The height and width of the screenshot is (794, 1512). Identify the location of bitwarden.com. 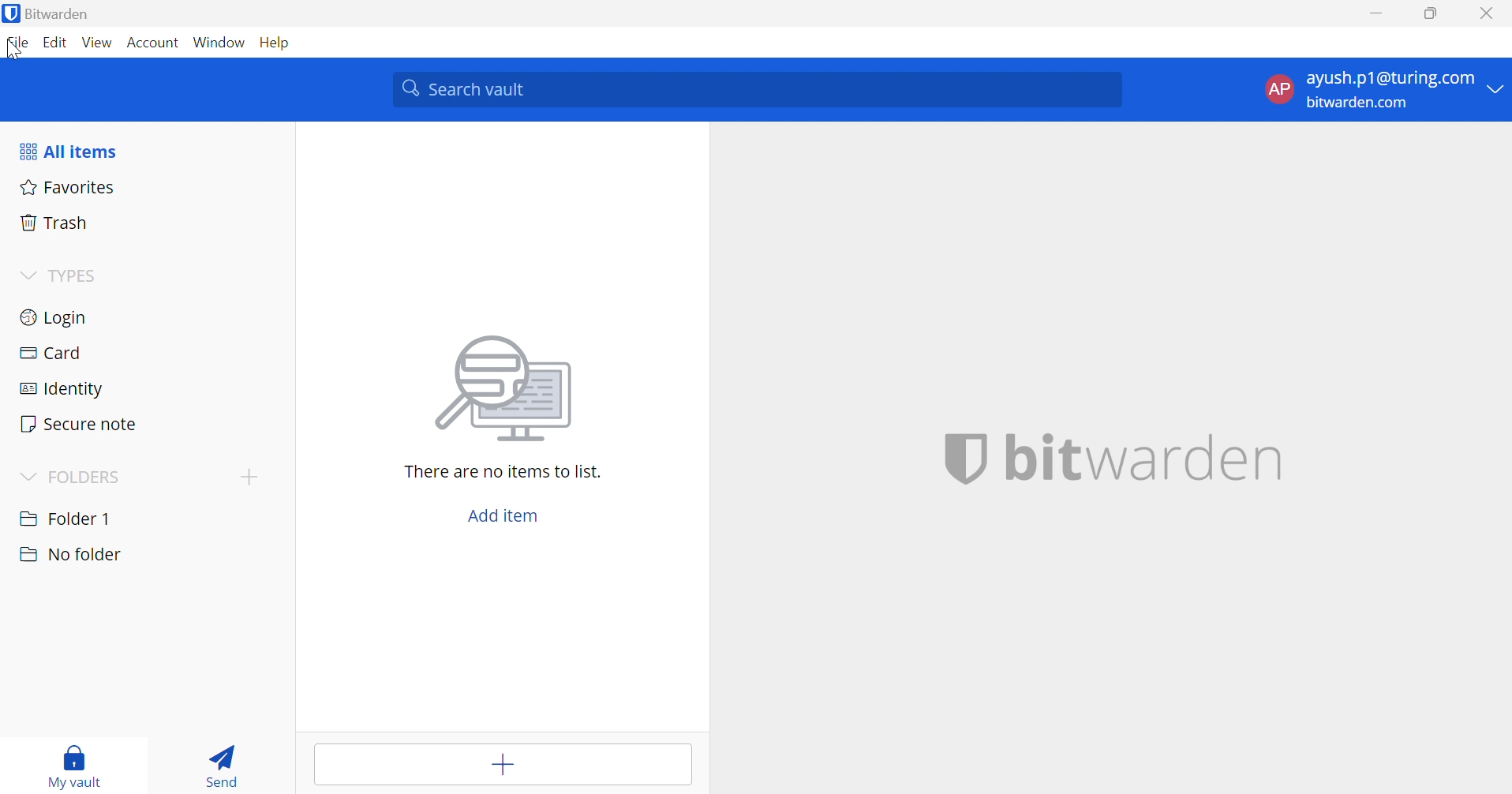
(1361, 103).